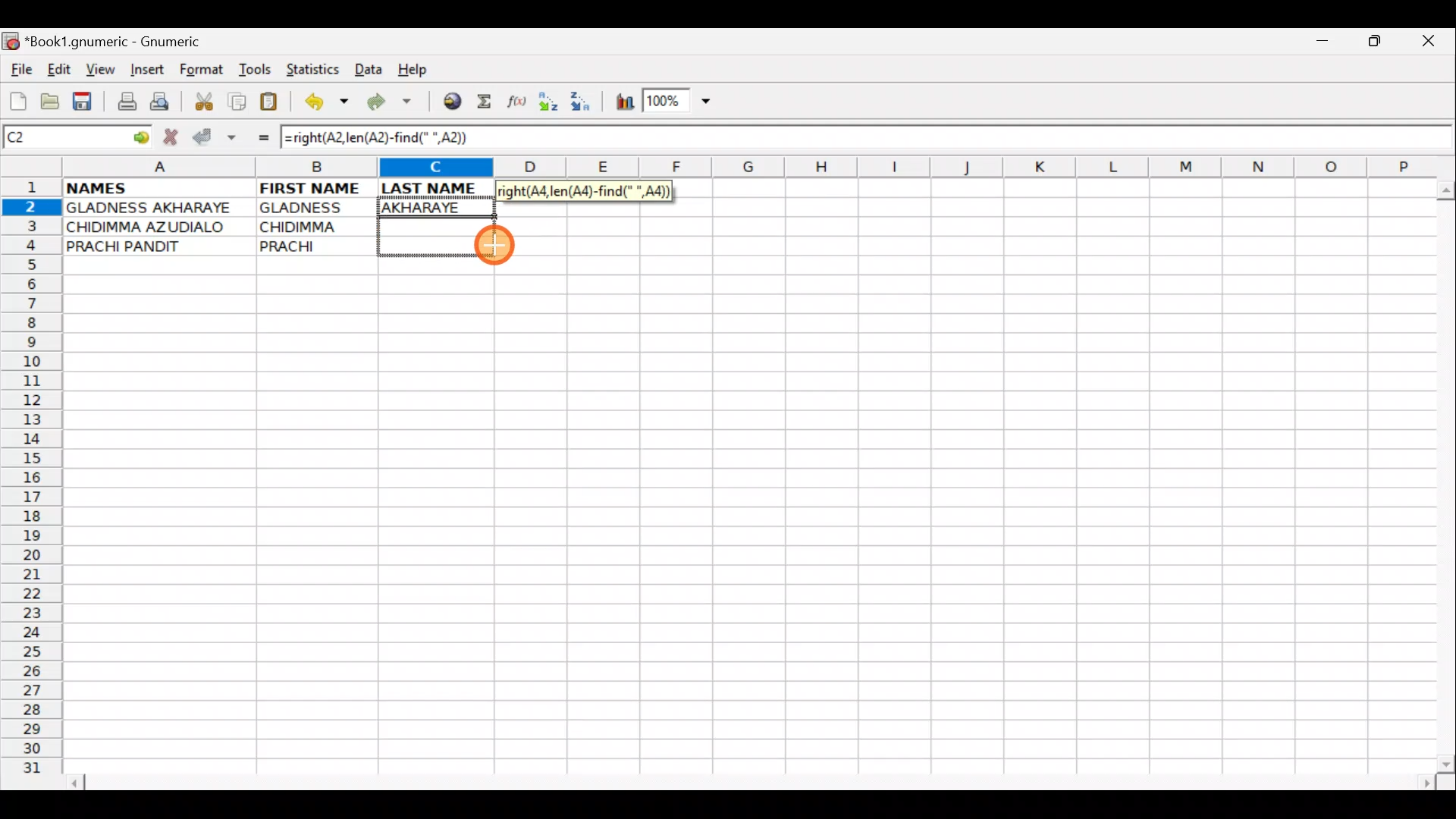 This screenshot has height=819, width=1456. I want to click on FIRST NAME, so click(312, 187).